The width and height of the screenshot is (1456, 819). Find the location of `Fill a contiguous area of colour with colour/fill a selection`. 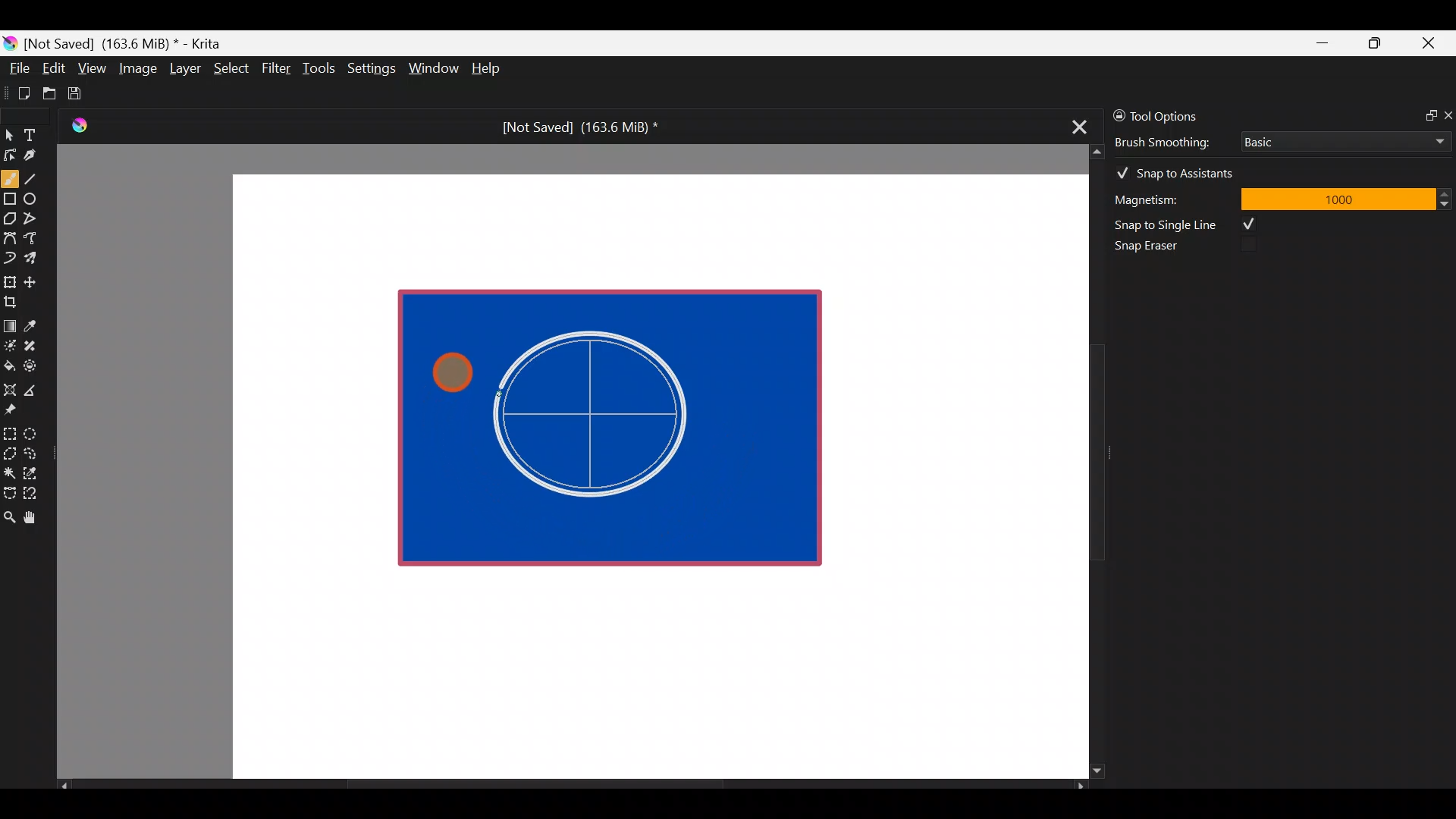

Fill a contiguous area of colour with colour/fill a selection is located at coordinates (9, 362).